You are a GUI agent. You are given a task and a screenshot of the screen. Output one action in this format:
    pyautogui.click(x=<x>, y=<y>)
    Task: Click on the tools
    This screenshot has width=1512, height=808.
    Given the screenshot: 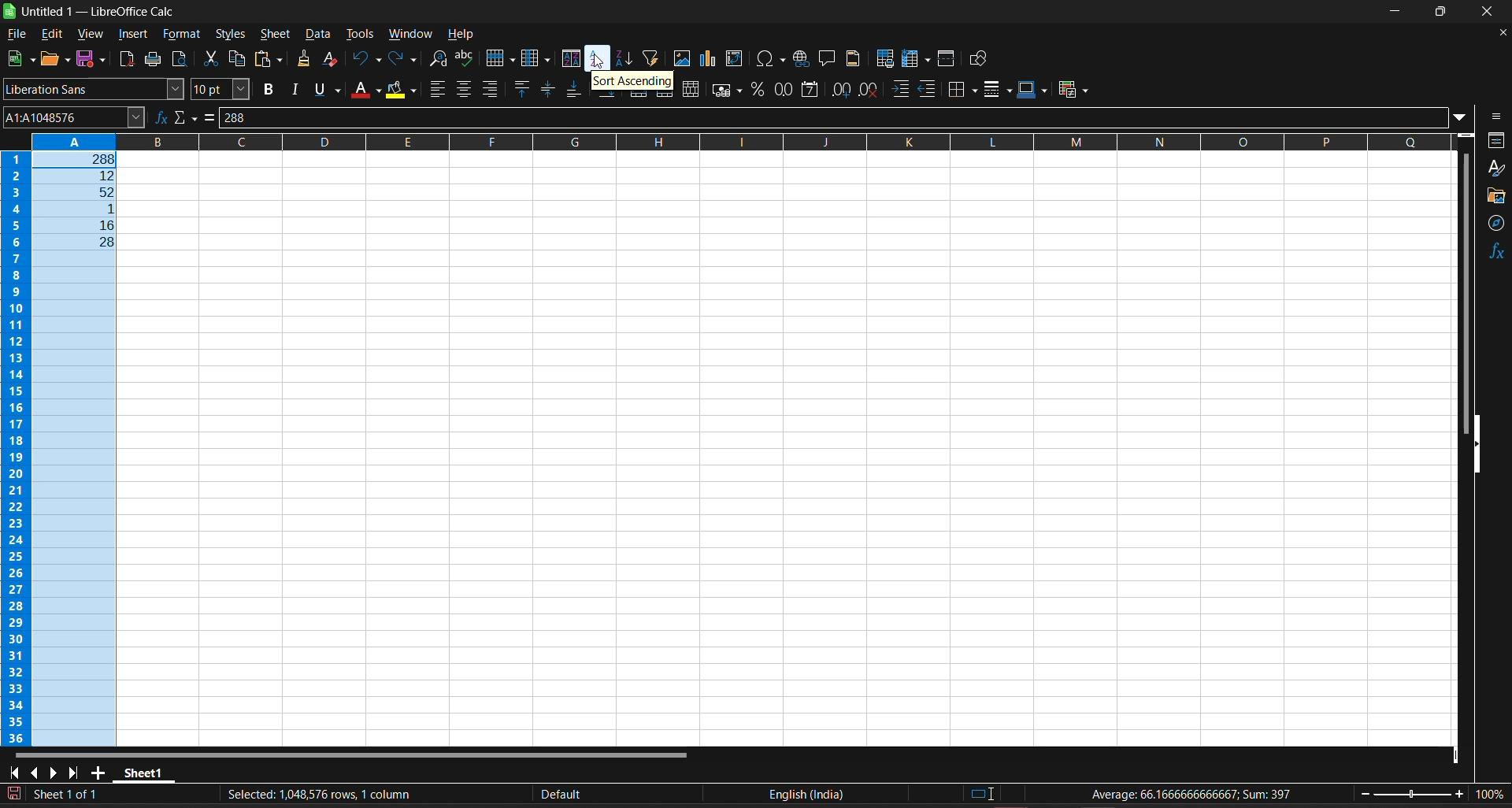 What is the action you would take?
    pyautogui.click(x=362, y=34)
    